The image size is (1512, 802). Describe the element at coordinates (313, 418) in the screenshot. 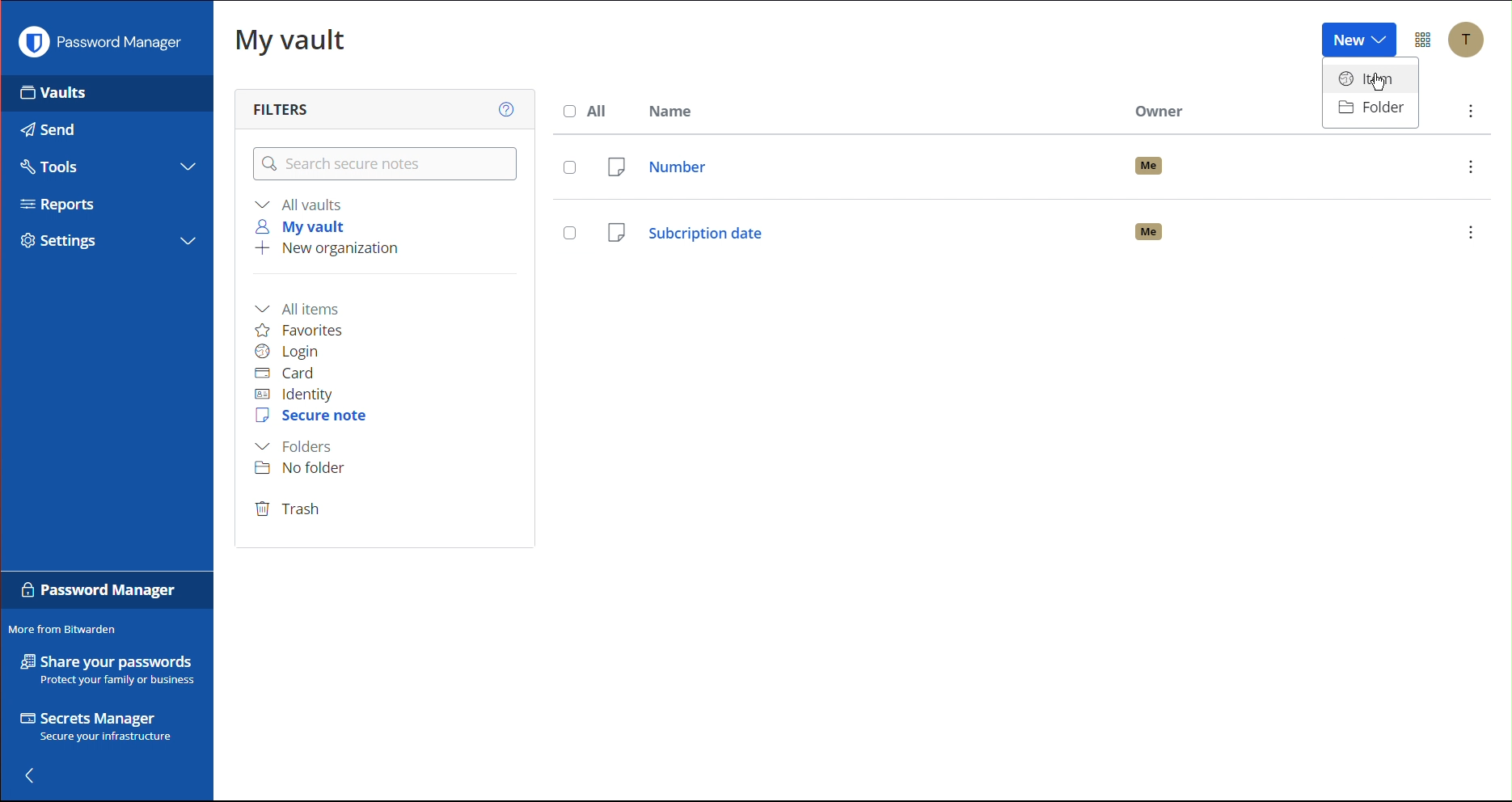

I see `Secure note` at that location.